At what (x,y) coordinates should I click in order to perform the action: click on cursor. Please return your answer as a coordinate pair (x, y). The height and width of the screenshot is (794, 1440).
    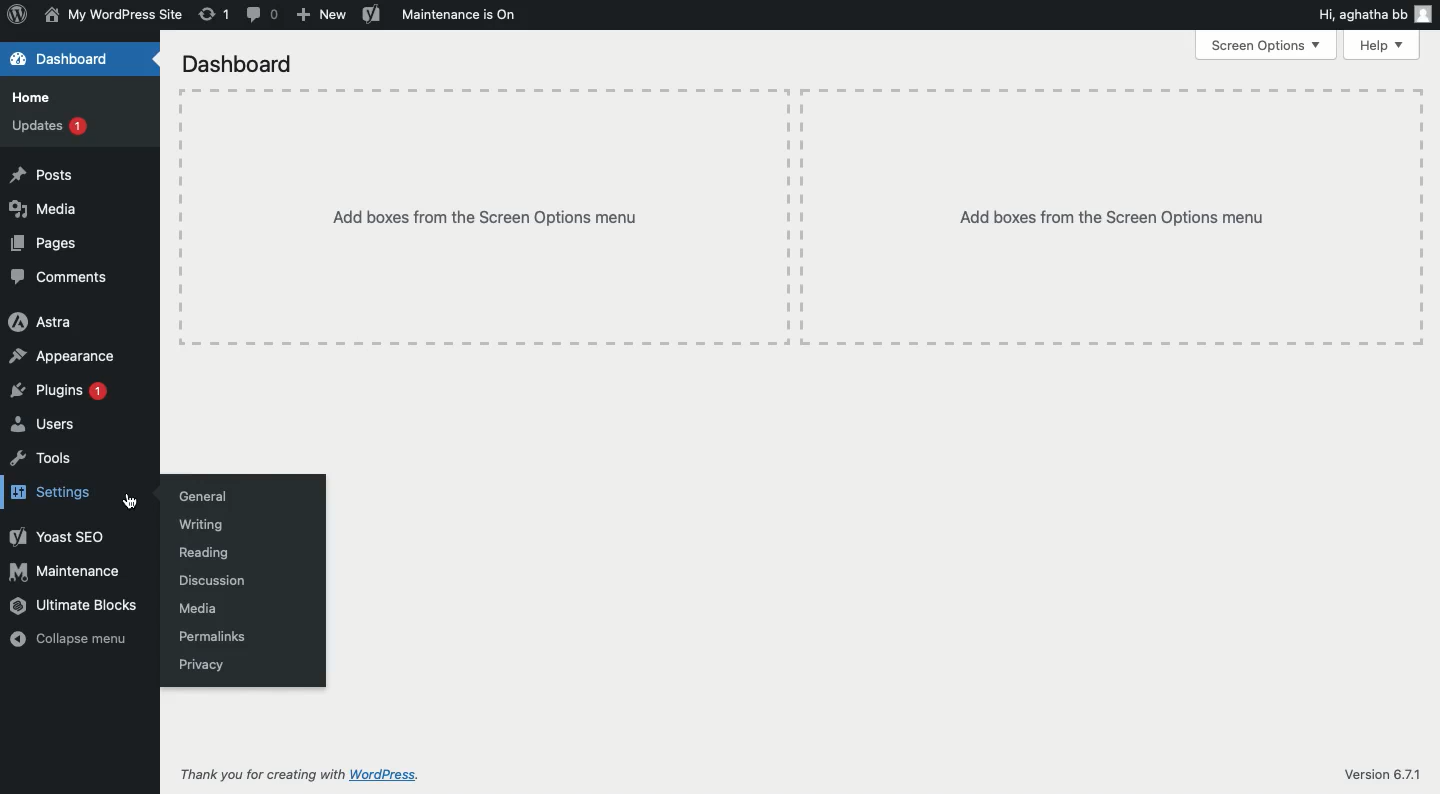
    Looking at the image, I should click on (133, 502).